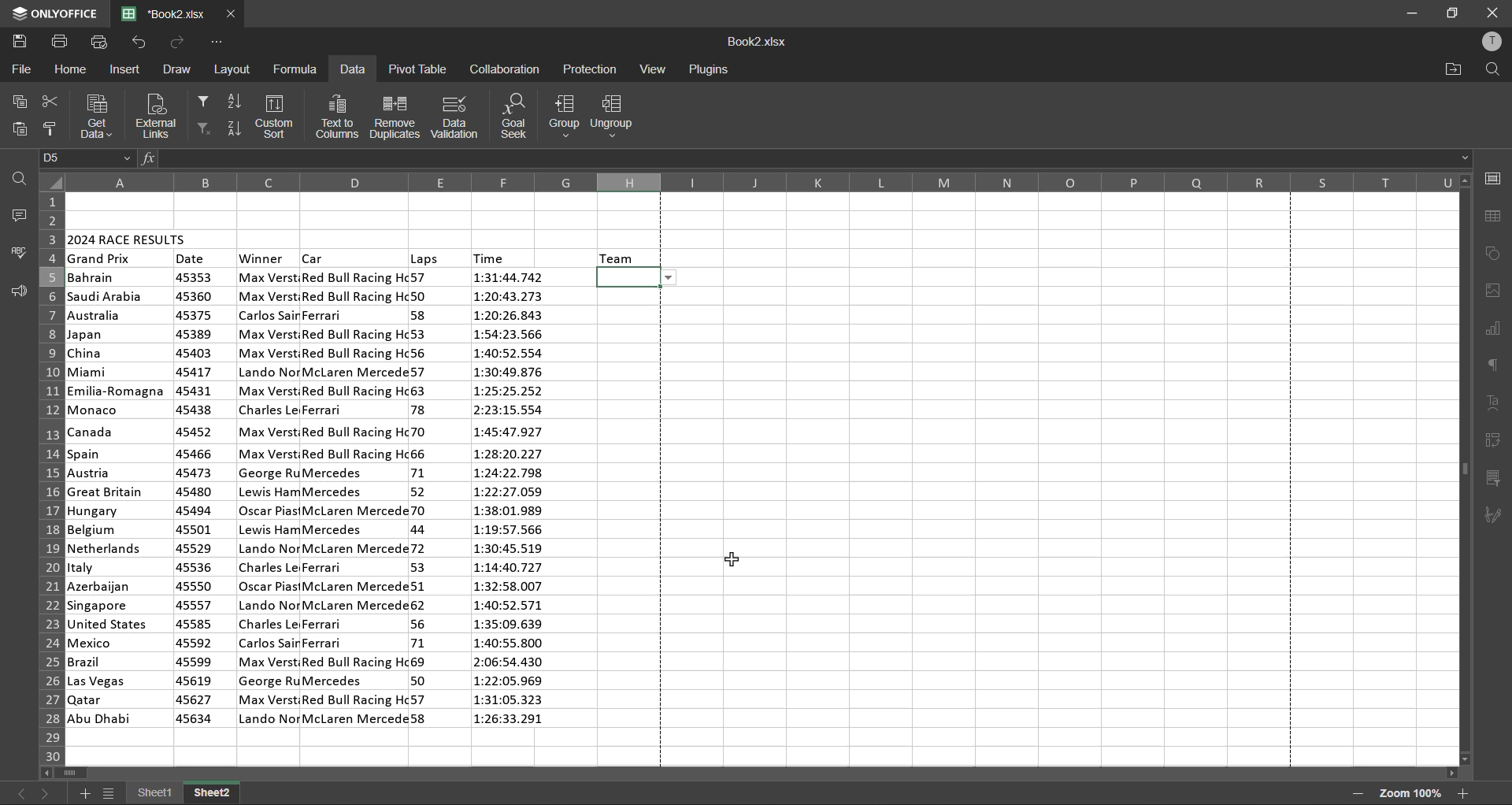 Image resolution: width=1512 pixels, height=805 pixels. I want to click on country names, so click(117, 498).